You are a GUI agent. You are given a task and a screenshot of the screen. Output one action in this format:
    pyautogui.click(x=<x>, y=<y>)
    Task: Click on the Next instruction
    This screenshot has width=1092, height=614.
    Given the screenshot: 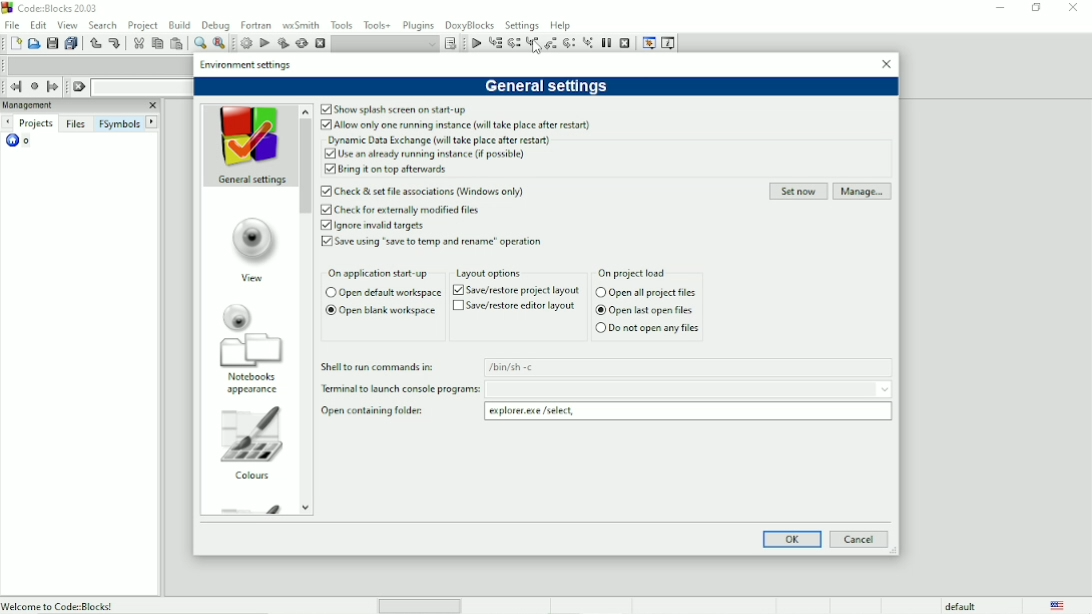 What is the action you would take?
    pyautogui.click(x=569, y=43)
    